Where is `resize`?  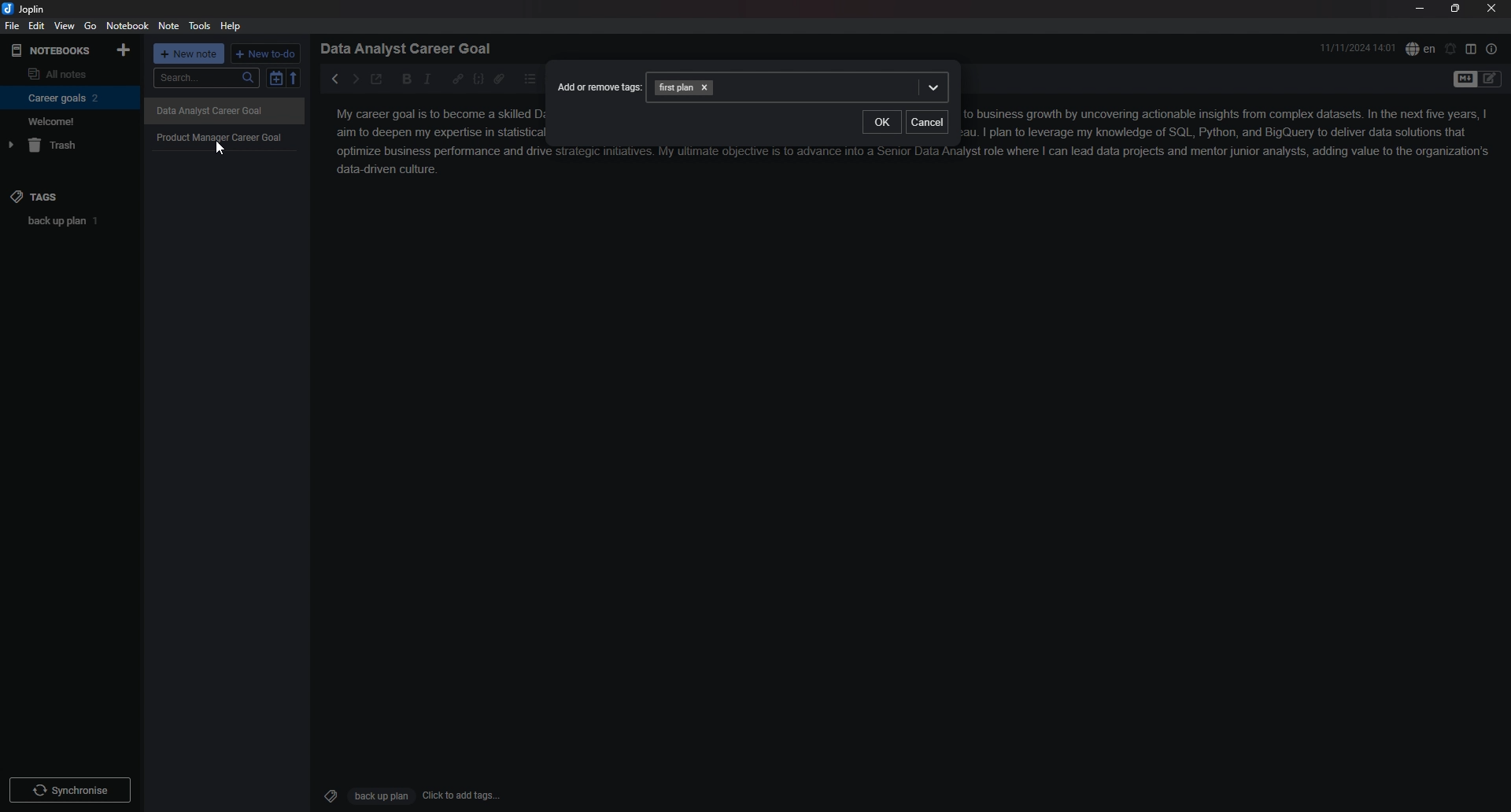 resize is located at coordinates (1456, 8).